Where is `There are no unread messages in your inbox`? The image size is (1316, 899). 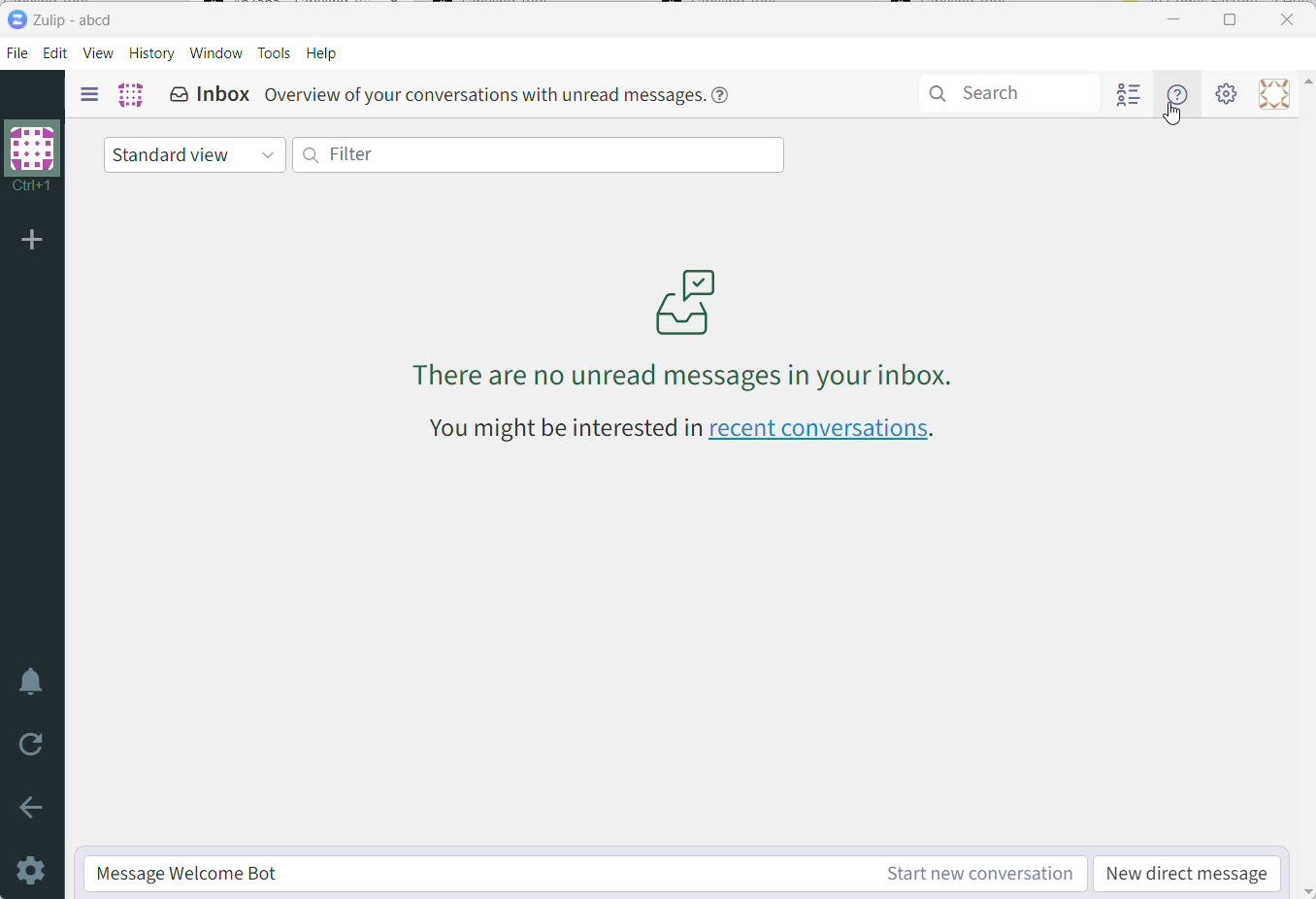 There are no unread messages in your inbox is located at coordinates (685, 316).